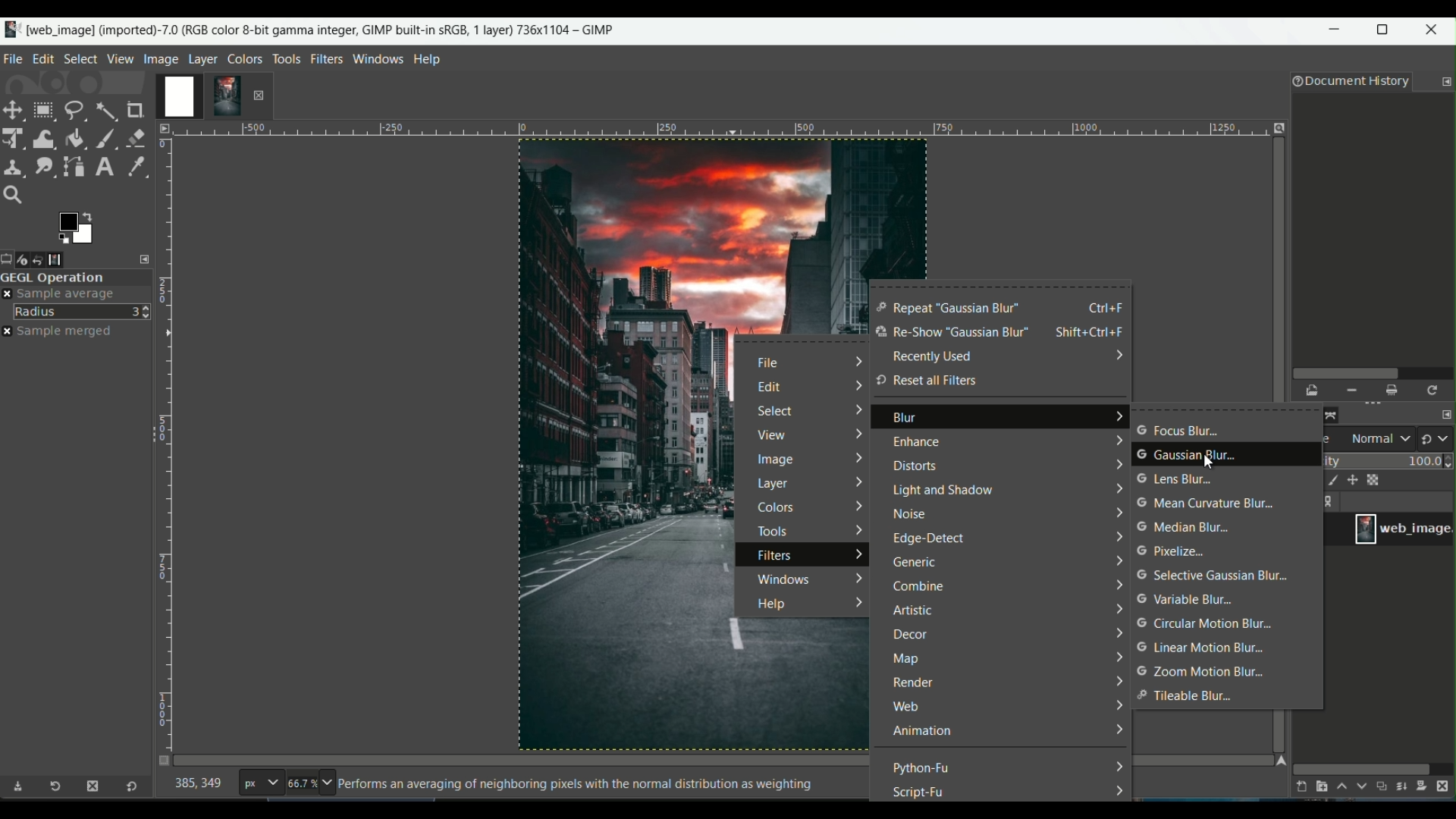  I want to click on select tab, so click(80, 58).